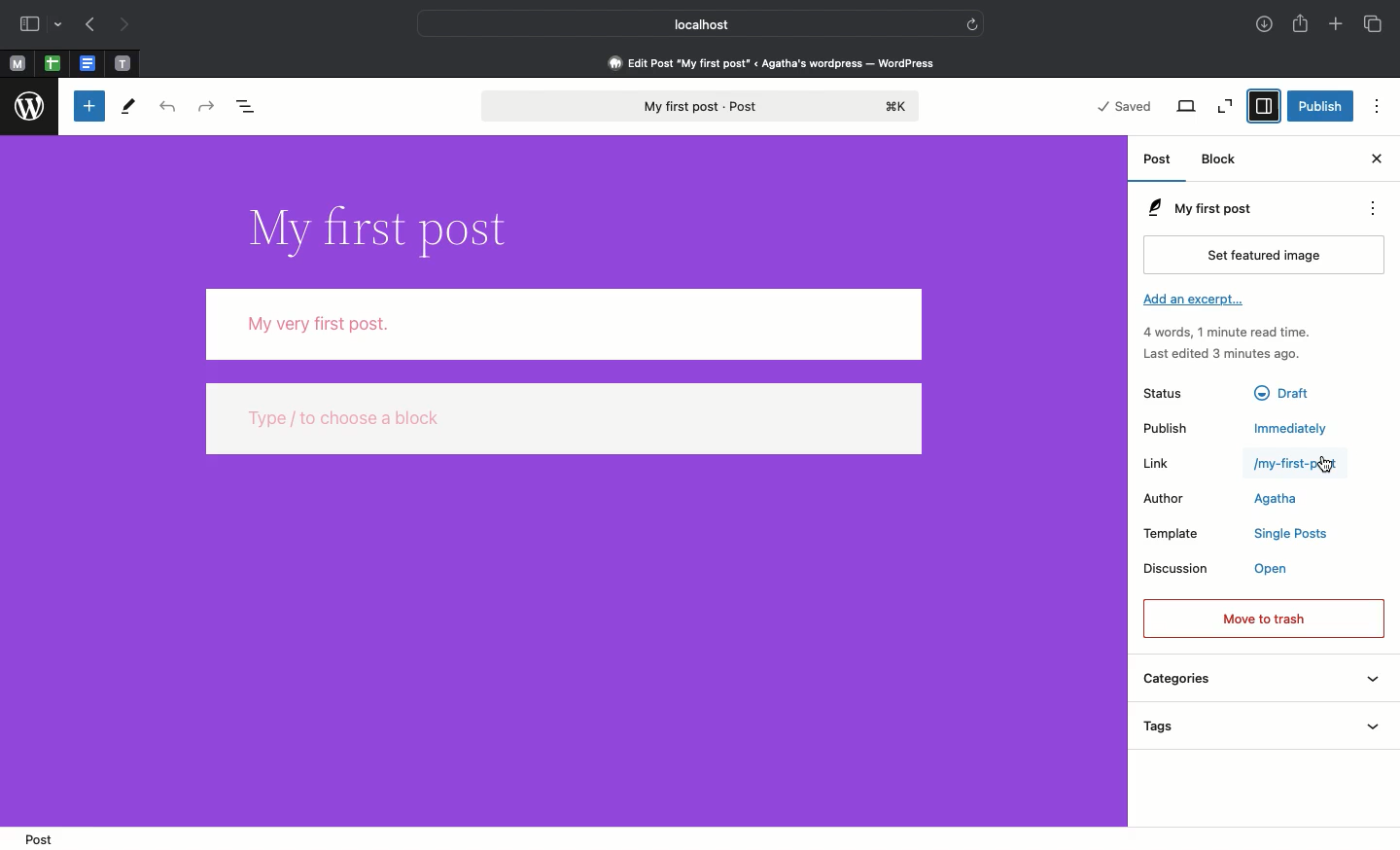 The width and height of the screenshot is (1400, 850). Describe the element at coordinates (1319, 105) in the screenshot. I see `Publish` at that location.